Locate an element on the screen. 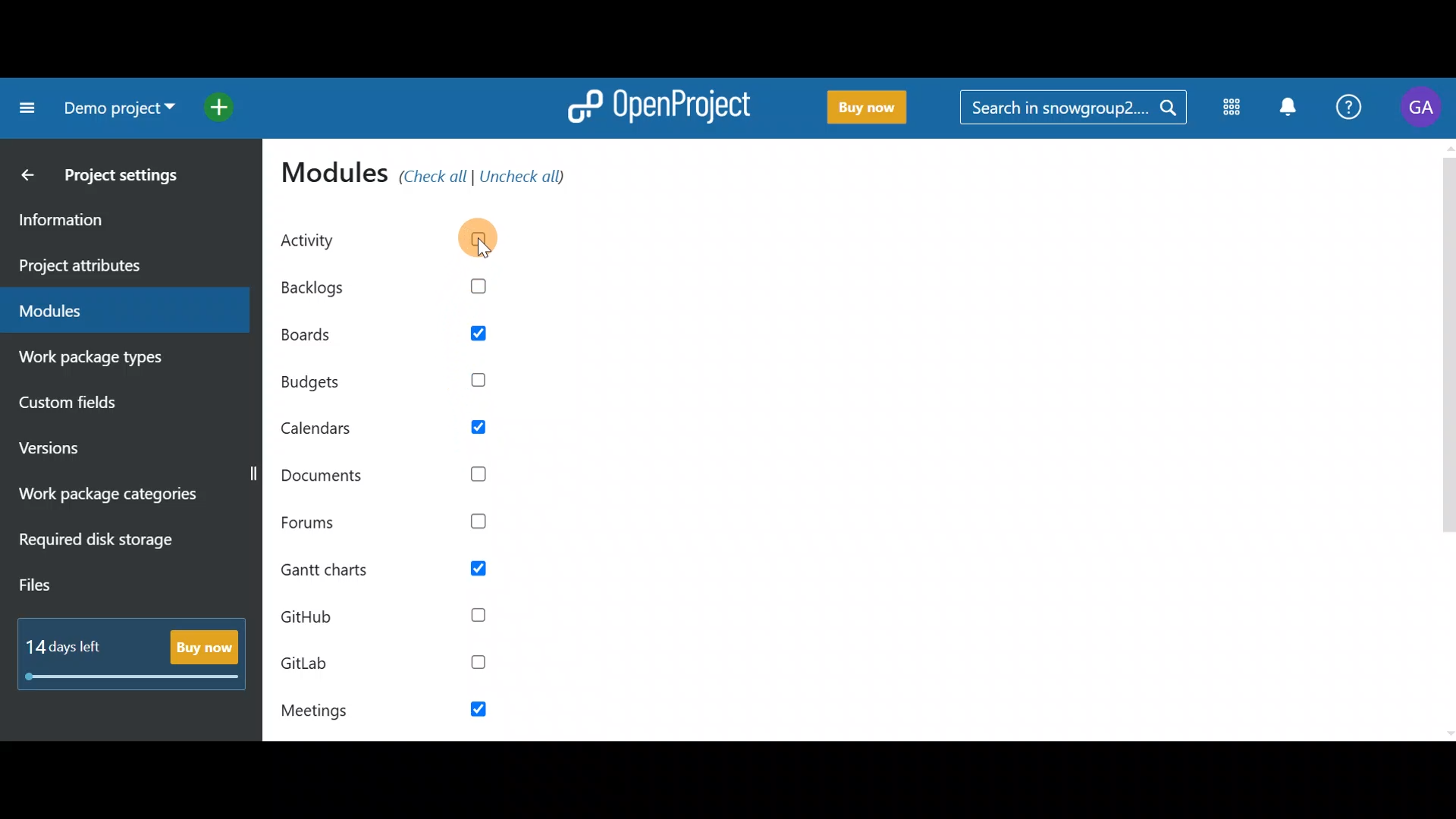  Work package types is located at coordinates (117, 360).